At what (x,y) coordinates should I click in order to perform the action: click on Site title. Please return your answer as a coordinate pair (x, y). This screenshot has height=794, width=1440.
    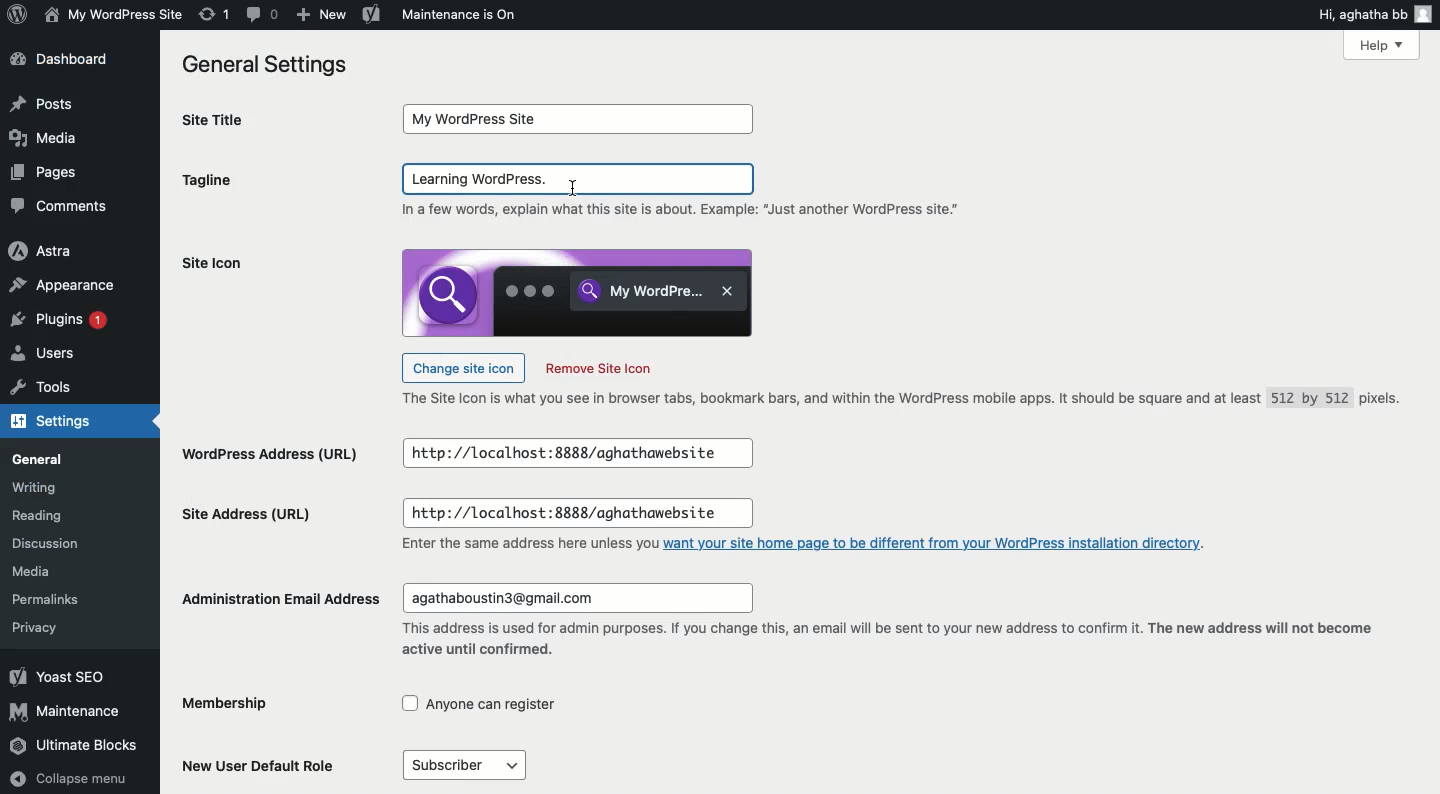
    Looking at the image, I should click on (236, 120).